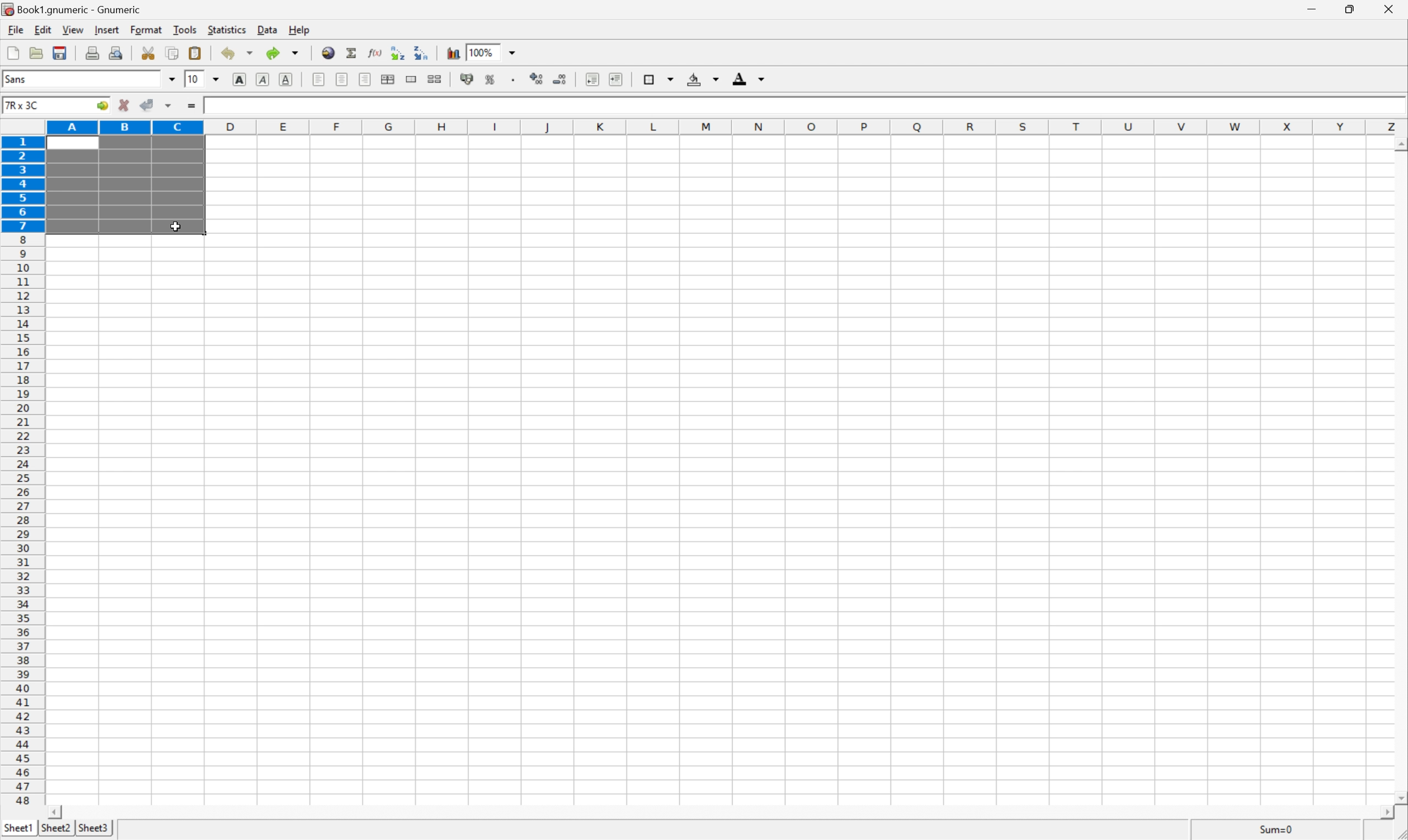 Image resolution: width=1408 pixels, height=840 pixels. I want to click on accept changes across selection, so click(168, 106).